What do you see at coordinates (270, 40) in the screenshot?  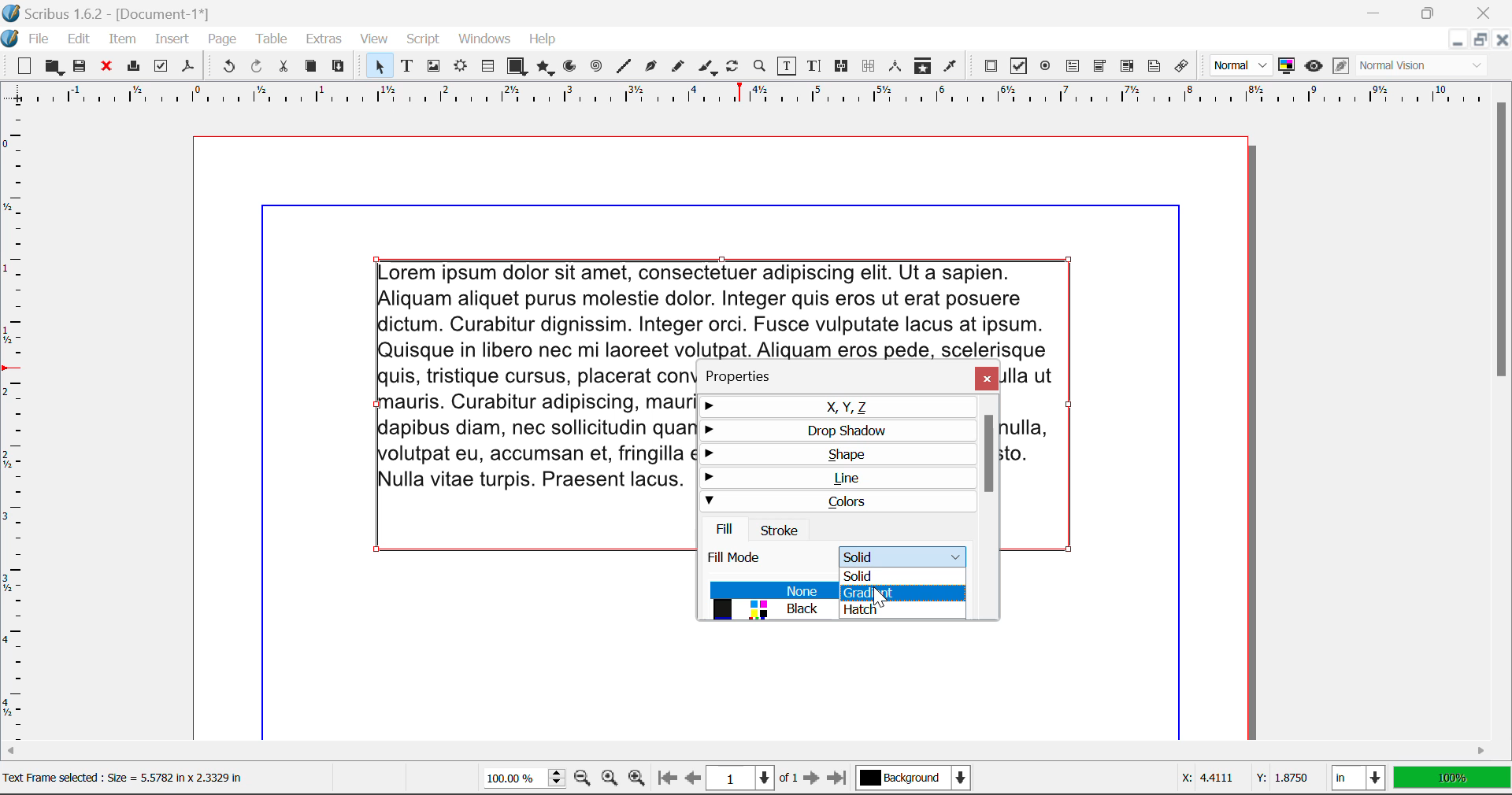 I see `Table` at bounding box center [270, 40].